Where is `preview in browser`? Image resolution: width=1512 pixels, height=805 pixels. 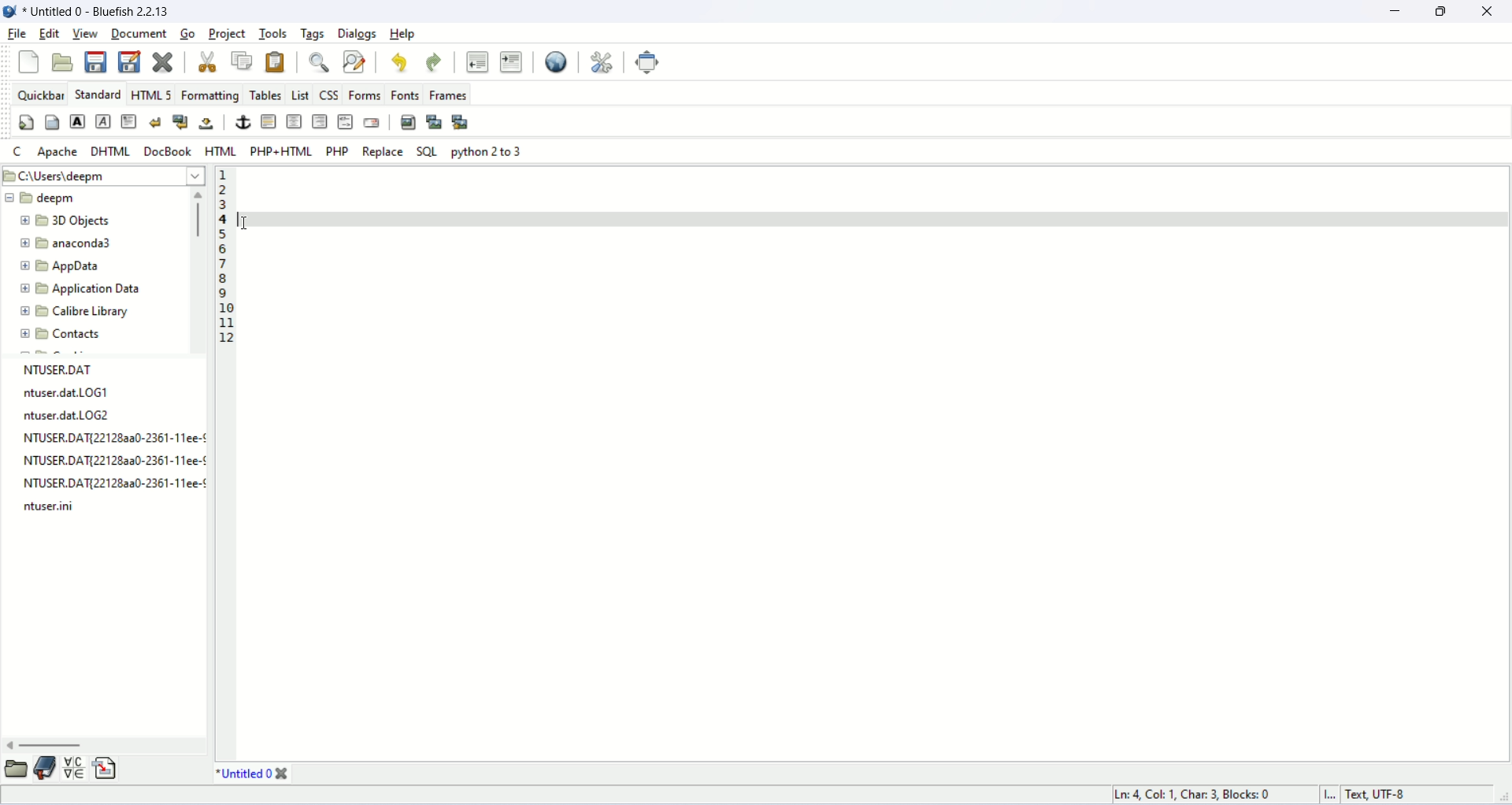
preview in browser is located at coordinates (554, 61).